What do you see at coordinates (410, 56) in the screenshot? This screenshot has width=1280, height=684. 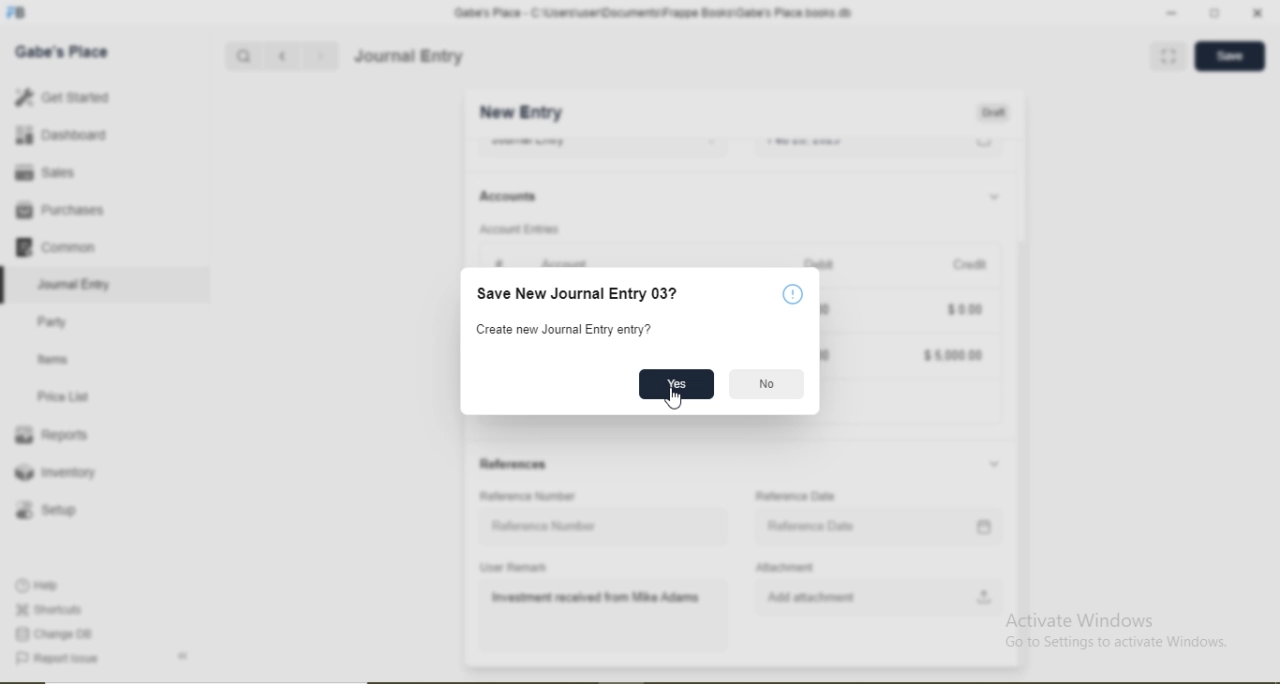 I see `Journal Entry` at bounding box center [410, 56].